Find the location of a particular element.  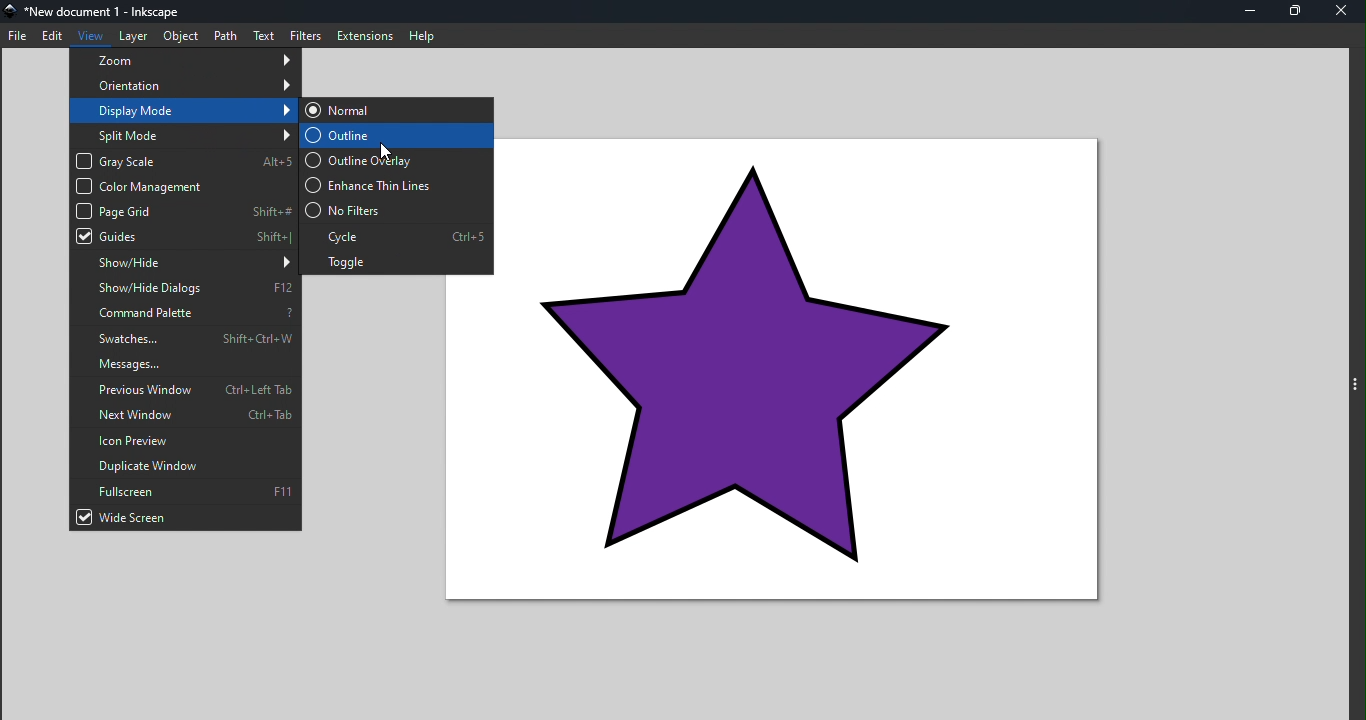

Edit is located at coordinates (55, 36).